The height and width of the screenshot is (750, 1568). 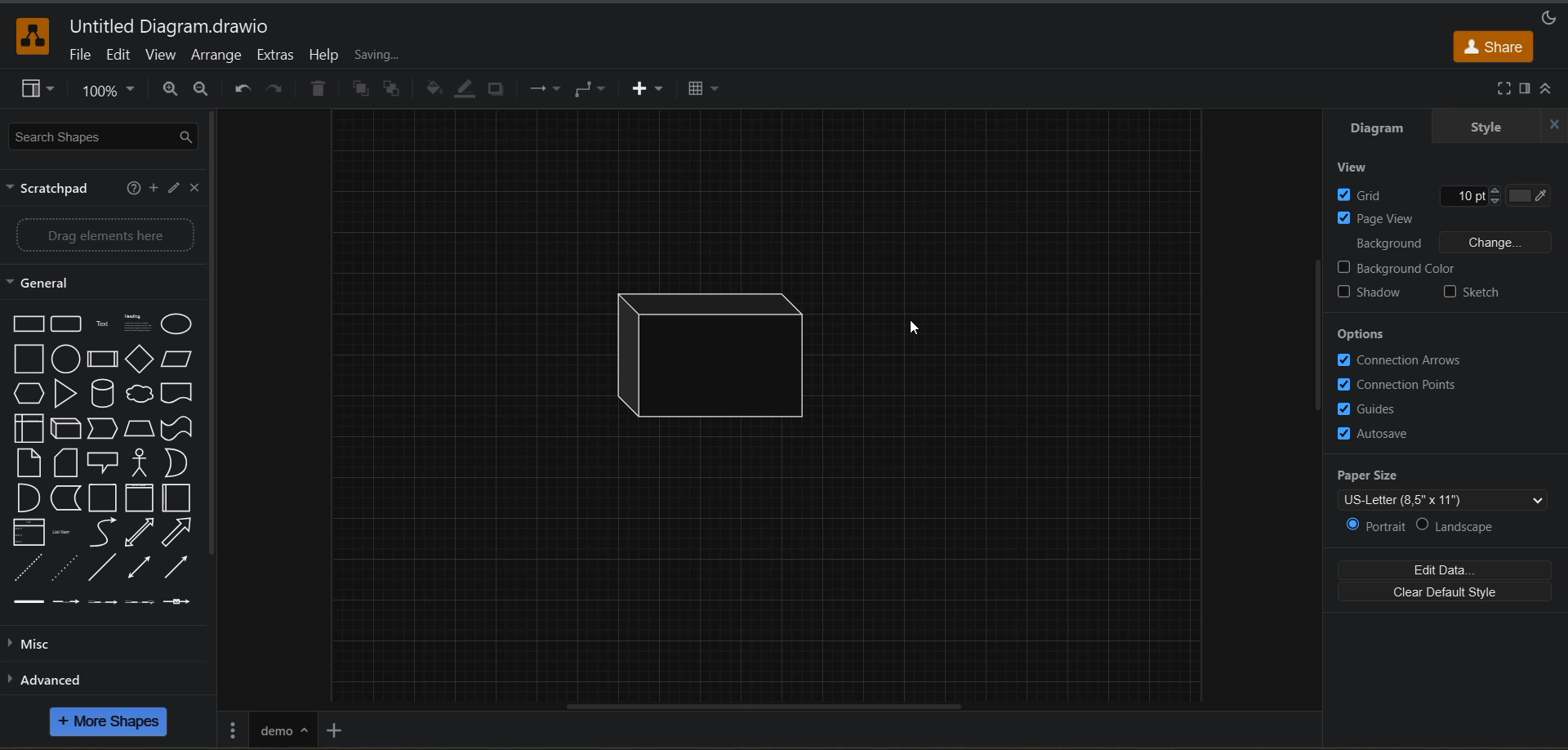 I want to click on view, so click(x=161, y=56).